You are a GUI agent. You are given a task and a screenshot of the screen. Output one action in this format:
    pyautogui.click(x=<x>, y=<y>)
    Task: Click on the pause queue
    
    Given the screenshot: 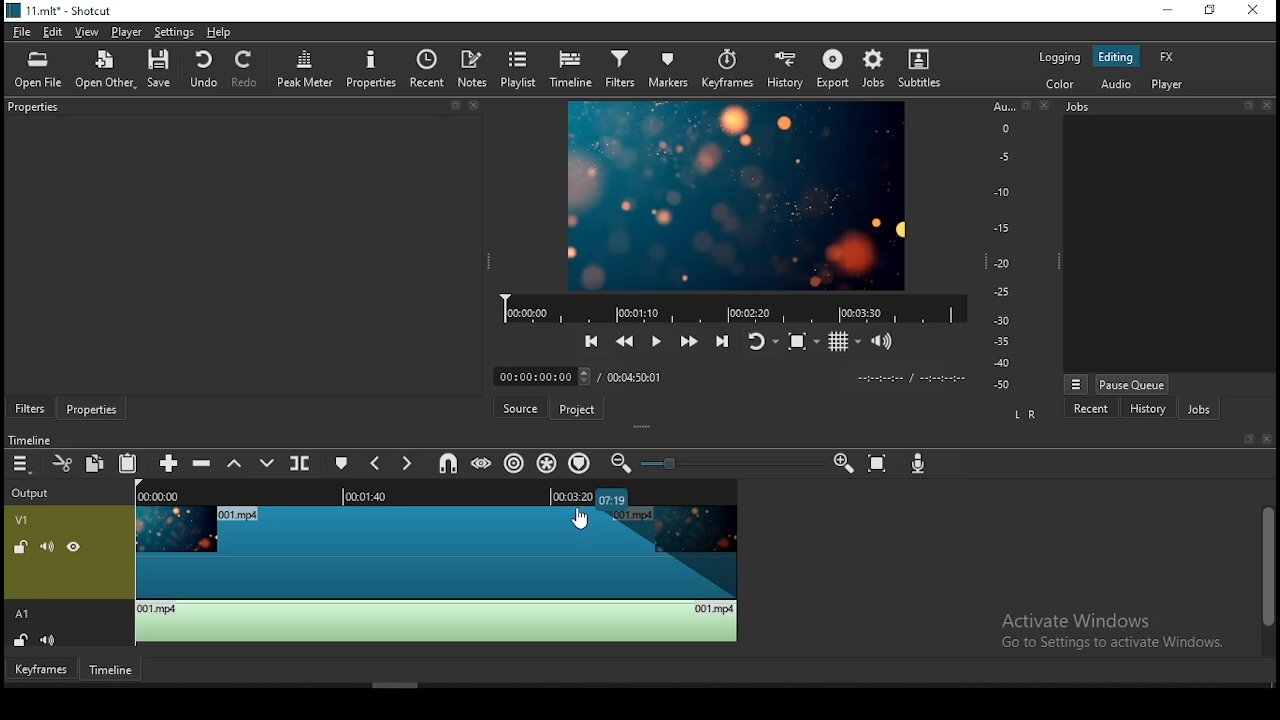 What is the action you would take?
    pyautogui.click(x=1133, y=381)
    